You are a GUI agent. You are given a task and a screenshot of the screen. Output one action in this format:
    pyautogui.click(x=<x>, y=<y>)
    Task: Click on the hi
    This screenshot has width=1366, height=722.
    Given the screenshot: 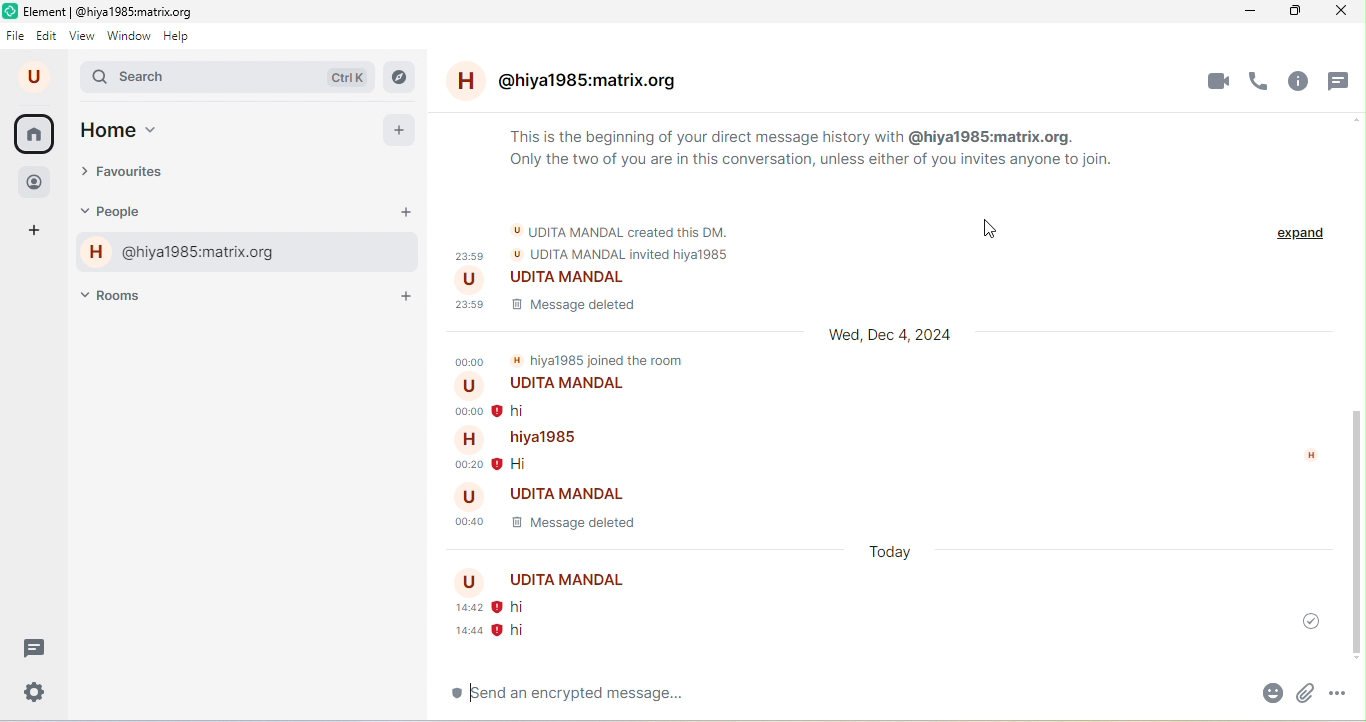 What is the action you would take?
    pyautogui.click(x=531, y=464)
    